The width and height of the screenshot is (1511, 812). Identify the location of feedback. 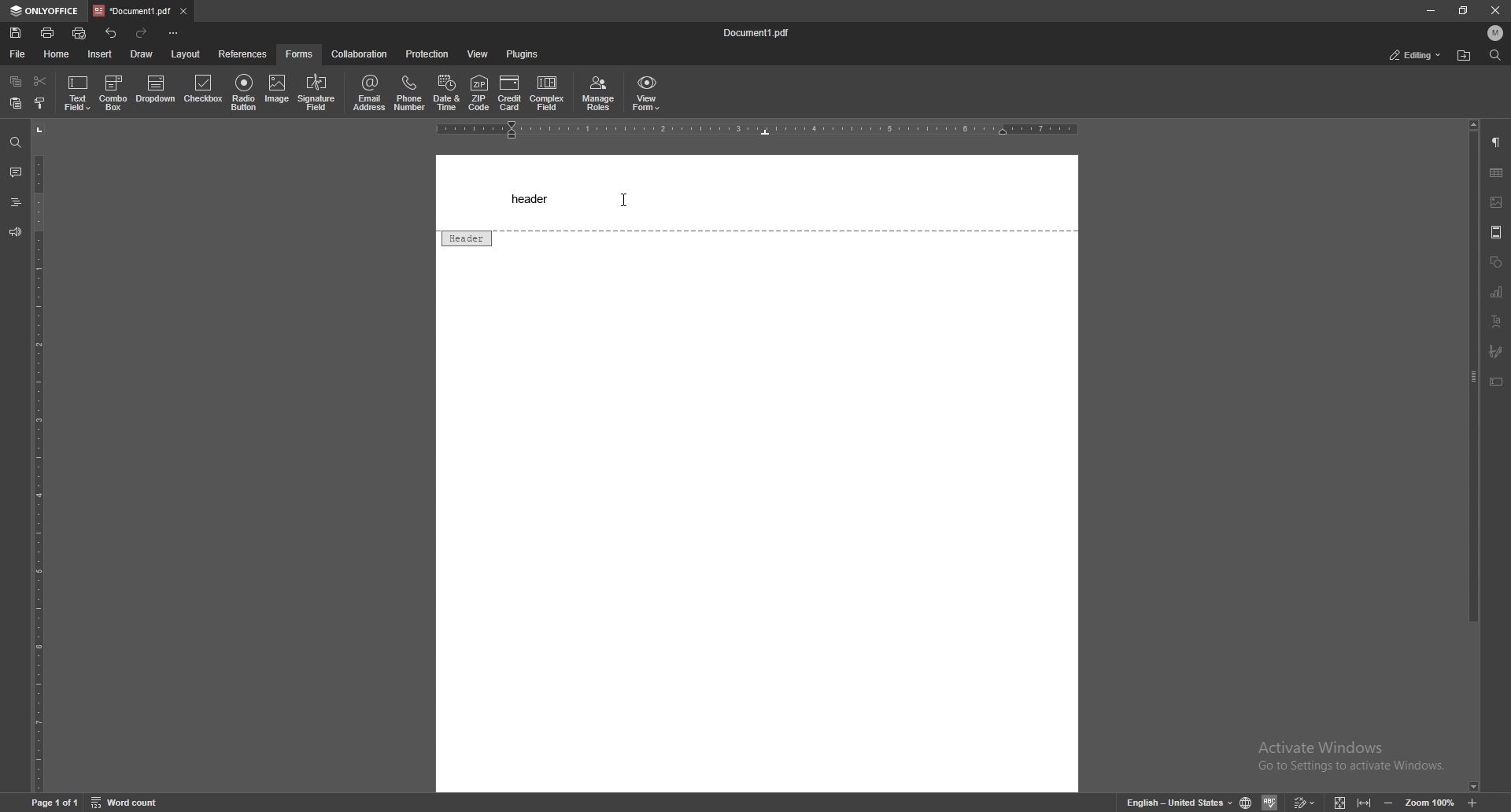
(15, 232).